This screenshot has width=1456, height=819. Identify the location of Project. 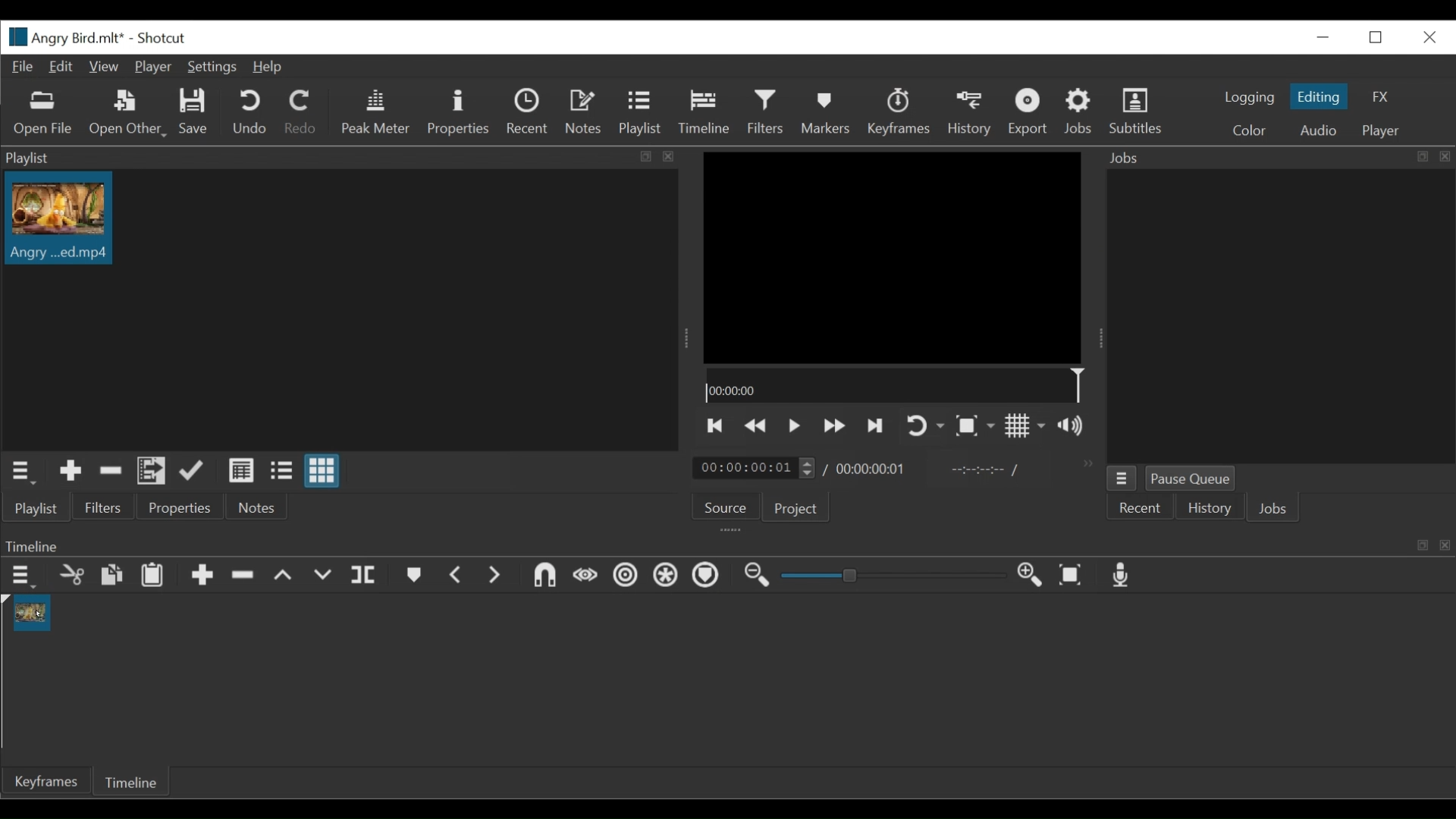
(798, 509).